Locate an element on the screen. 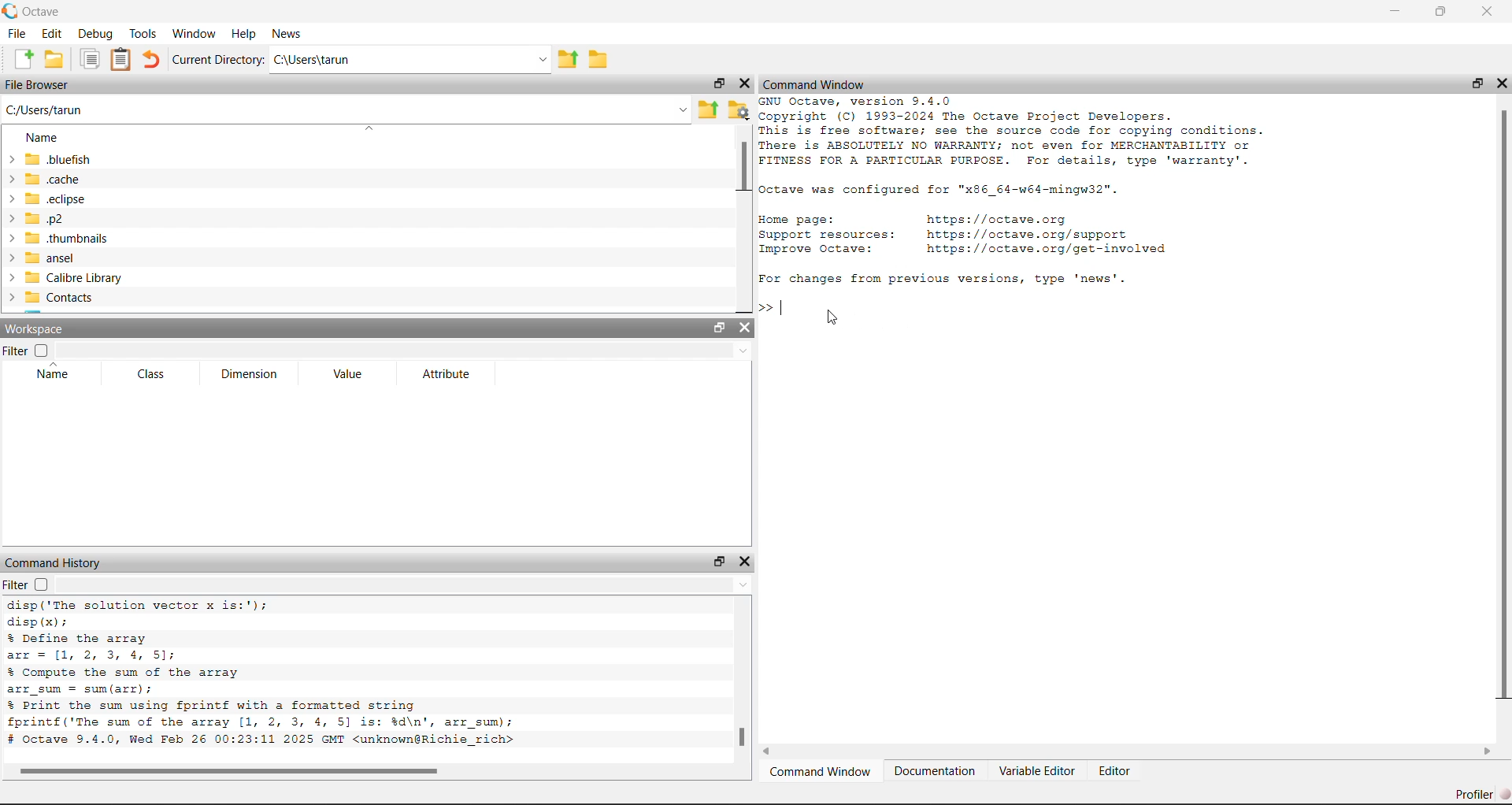 This screenshot has width=1512, height=805. Browse directories is located at coordinates (598, 57).